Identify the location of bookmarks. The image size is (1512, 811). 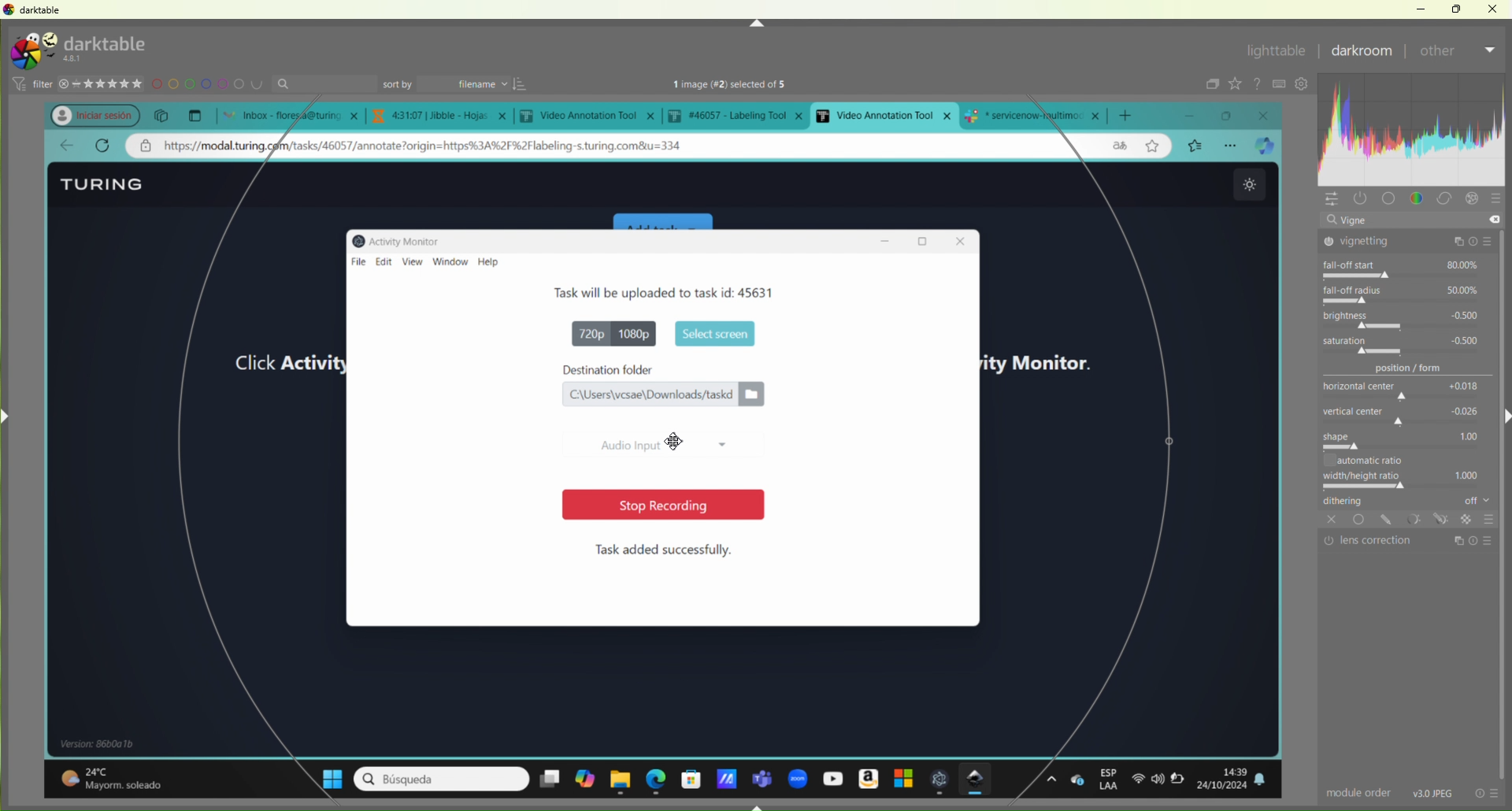
(1195, 145).